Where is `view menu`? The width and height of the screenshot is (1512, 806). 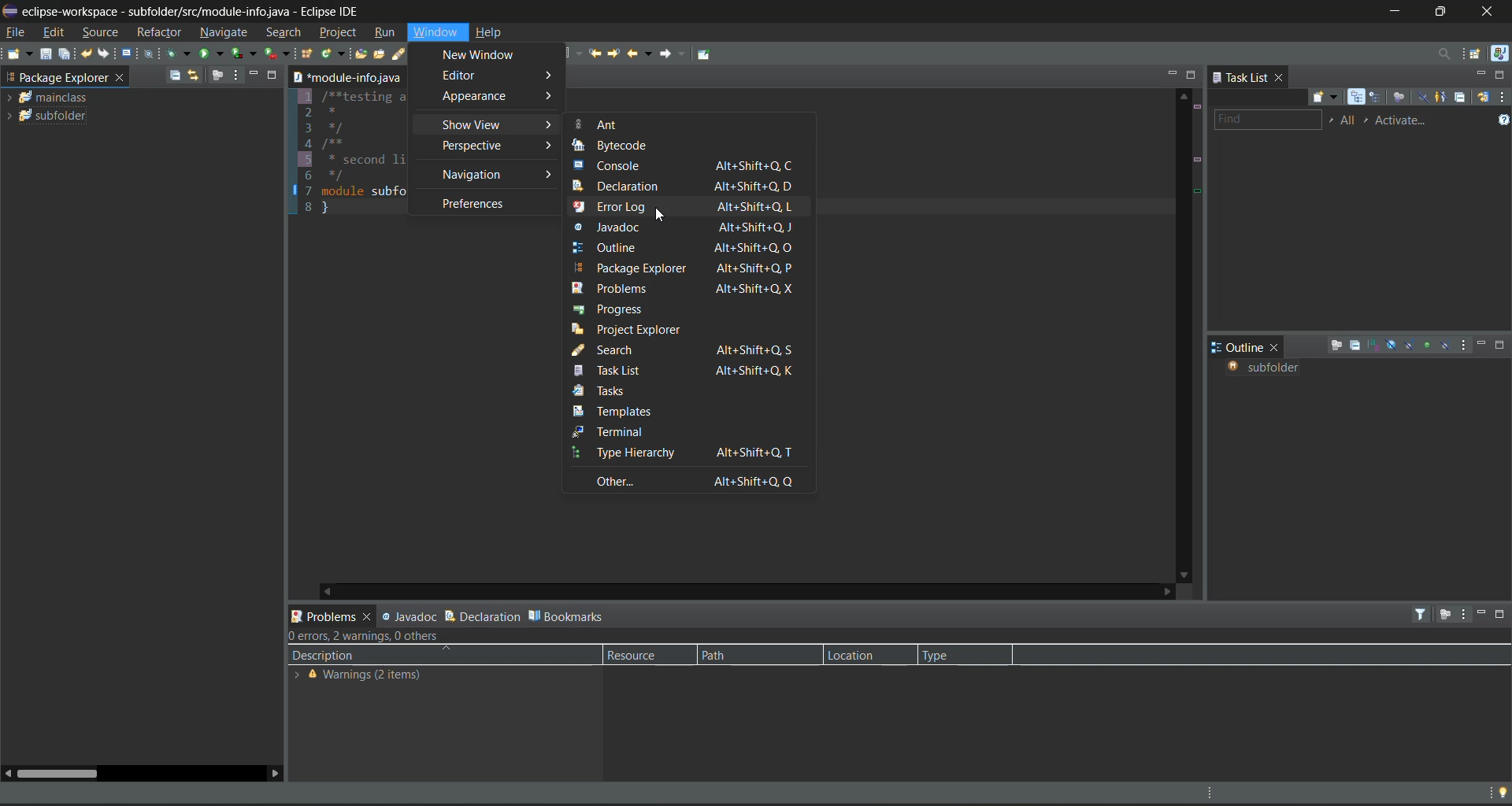 view menu is located at coordinates (238, 75).